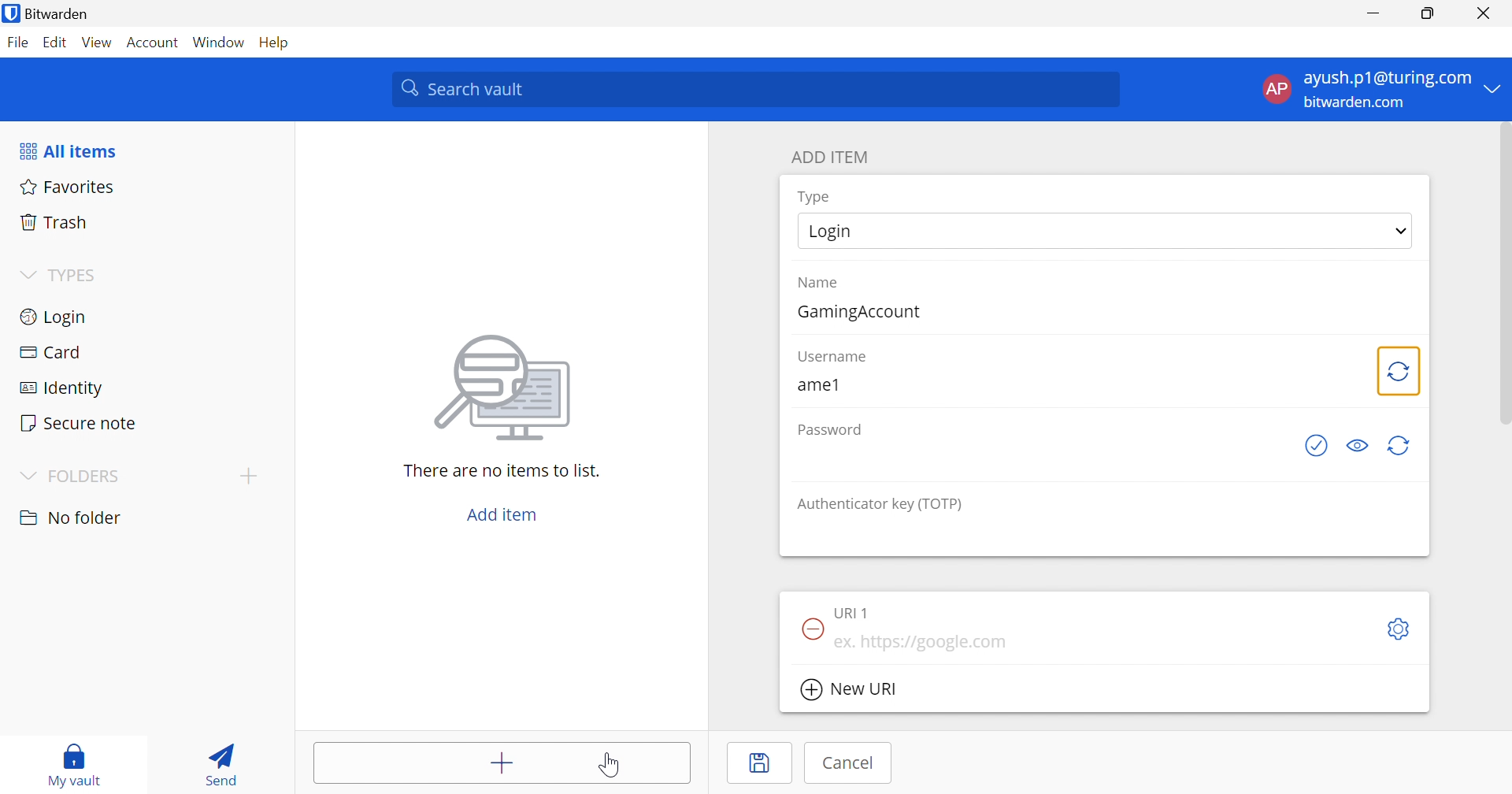  What do you see at coordinates (1390, 80) in the screenshot?
I see `ayush.p1@turing.com` at bounding box center [1390, 80].